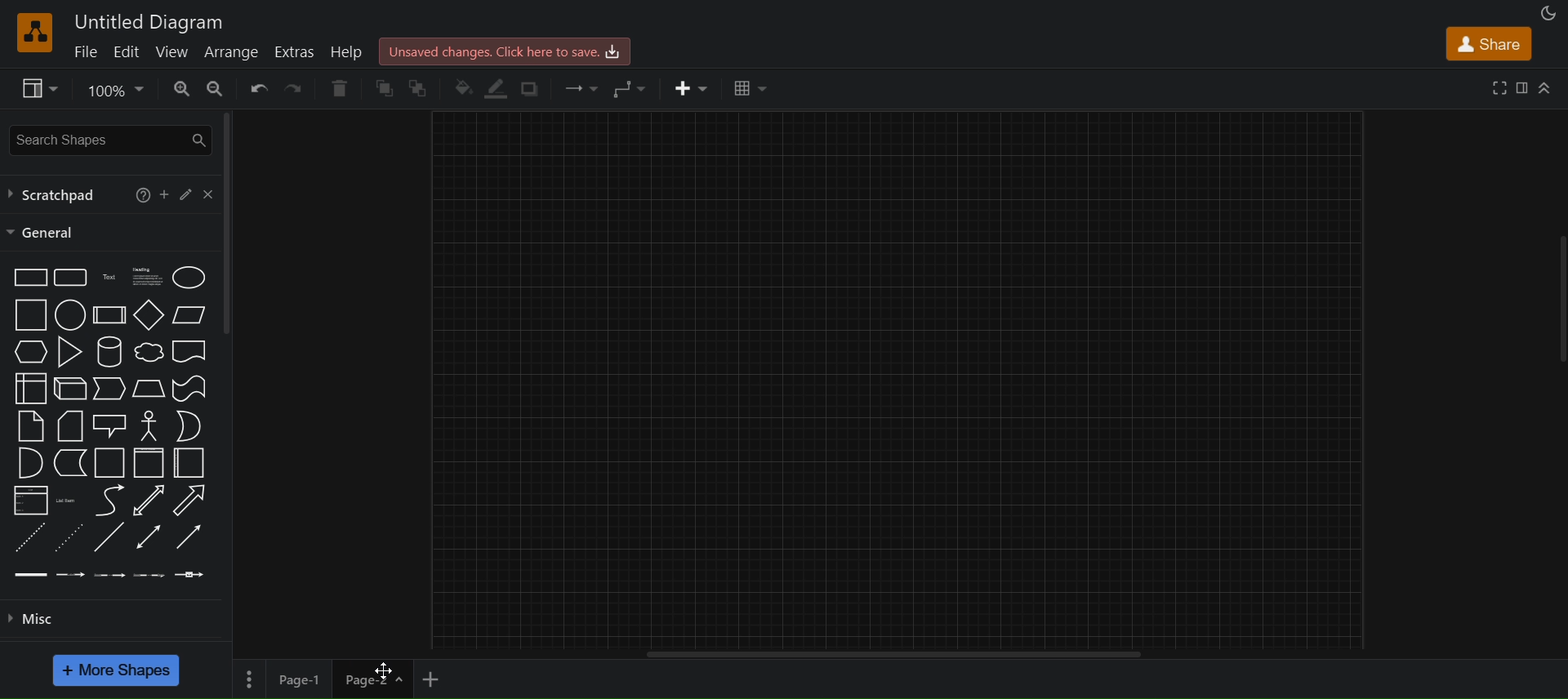 The height and width of the screenshot is (699, 1568). I want to click on dashed line, so click(27, 536).